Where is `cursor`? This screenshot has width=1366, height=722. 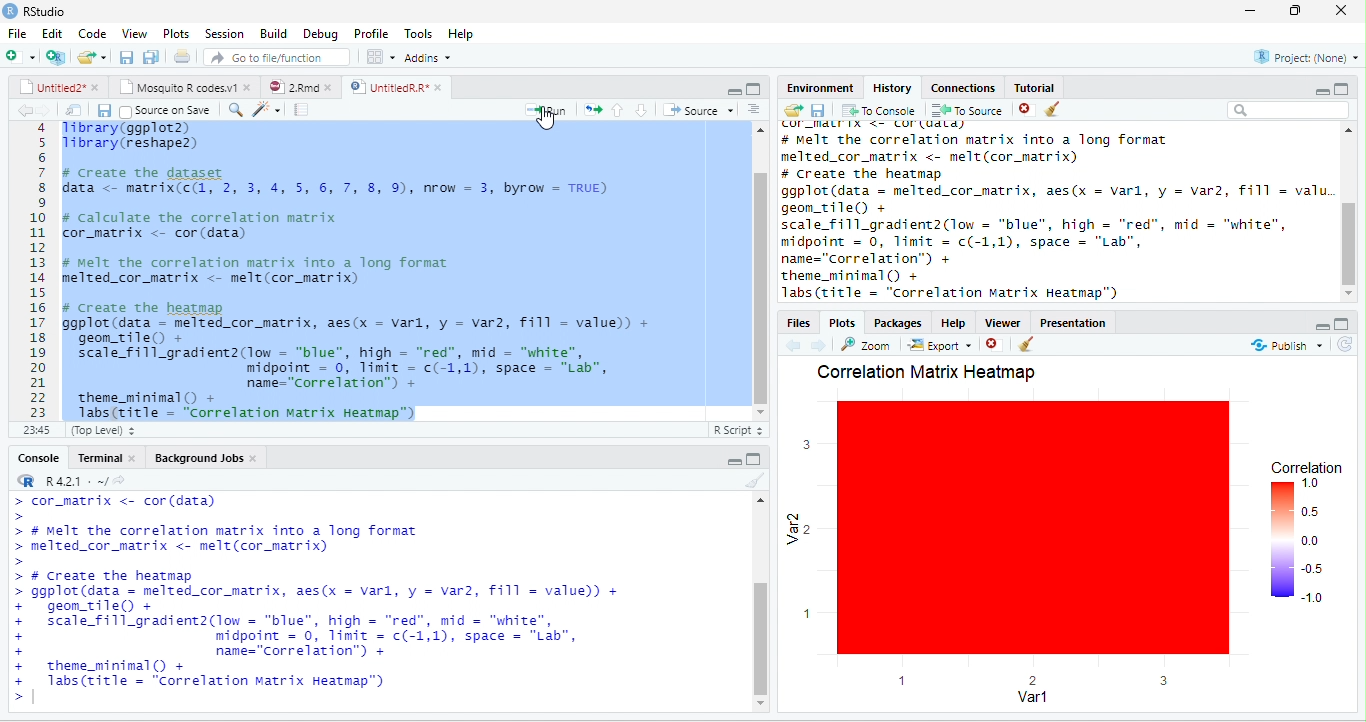
cursor is located at coordinates (551, 119).